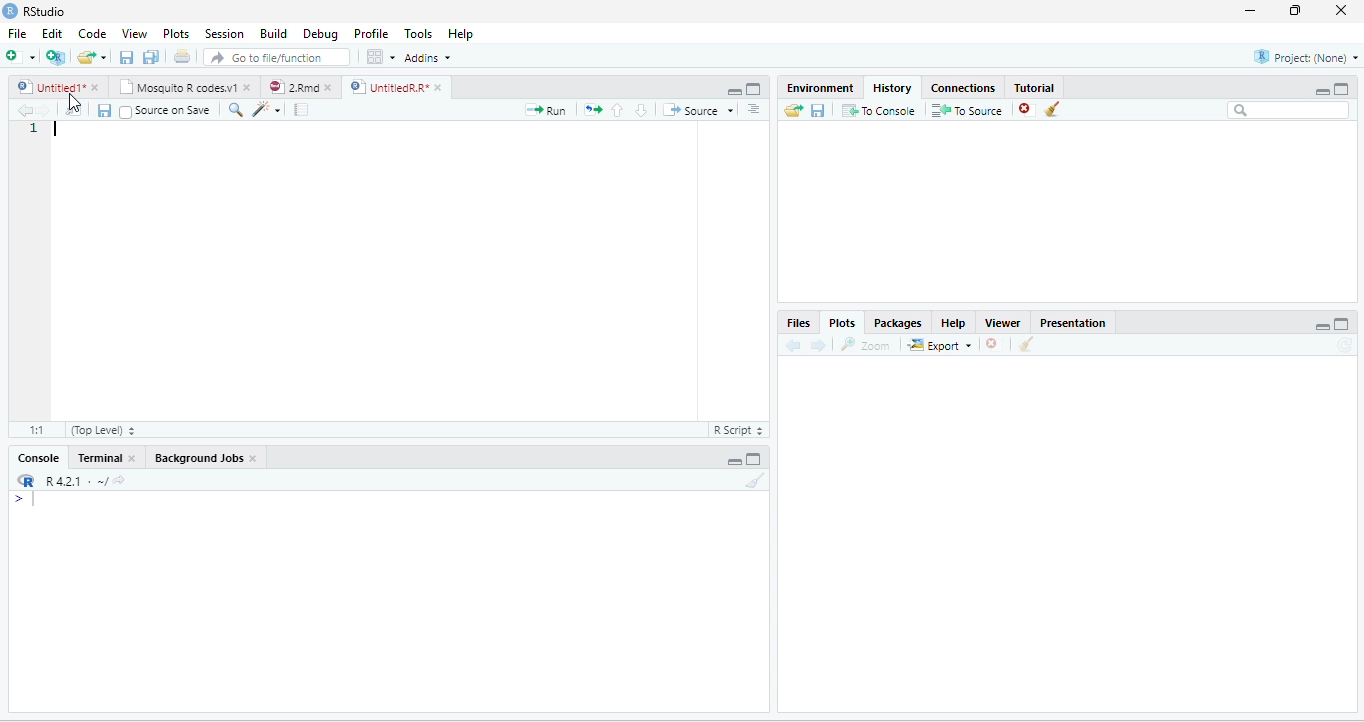  Describe the element at coordinates (182, 56) in the screenshot. I see `Print the current file` at that location.